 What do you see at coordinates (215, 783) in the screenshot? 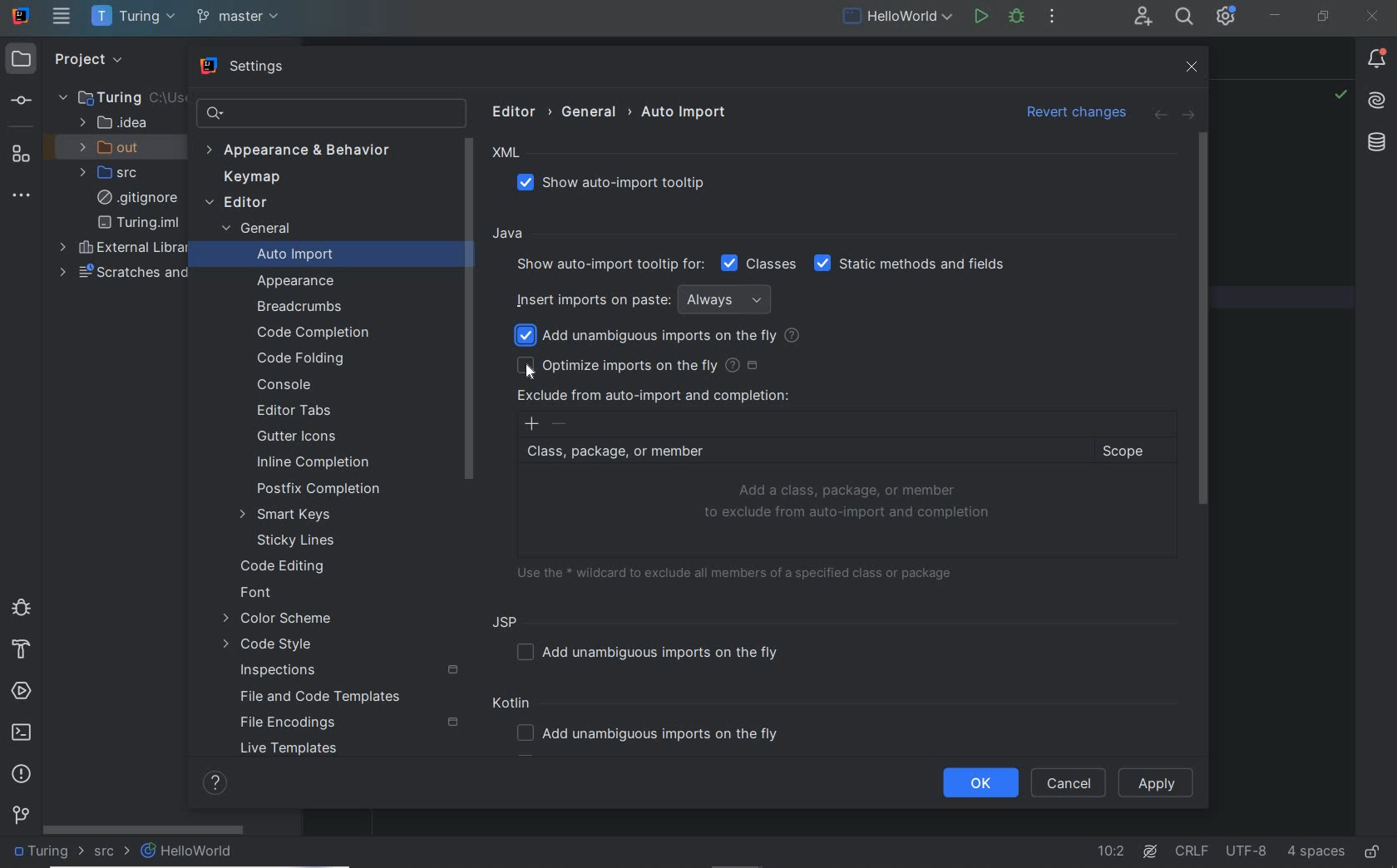
I see `SHOW HELP CONTENTS` at bounding box center [215, 783].